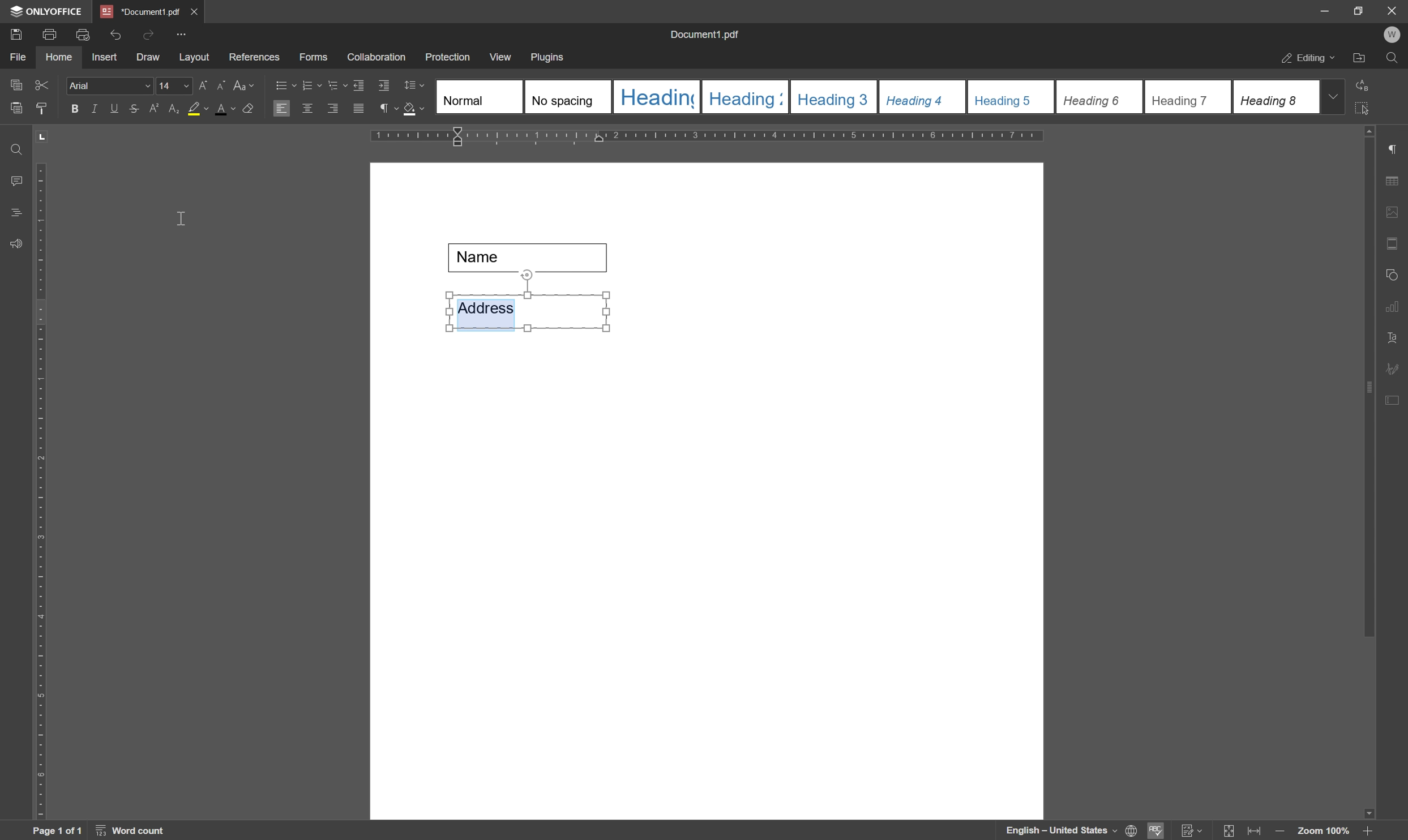 The width and height of the screenshot is (1408, 840). What do you see at coordinates (282, 109) in the screenshot?
I see `Align left` at bounding box center [282, 109].